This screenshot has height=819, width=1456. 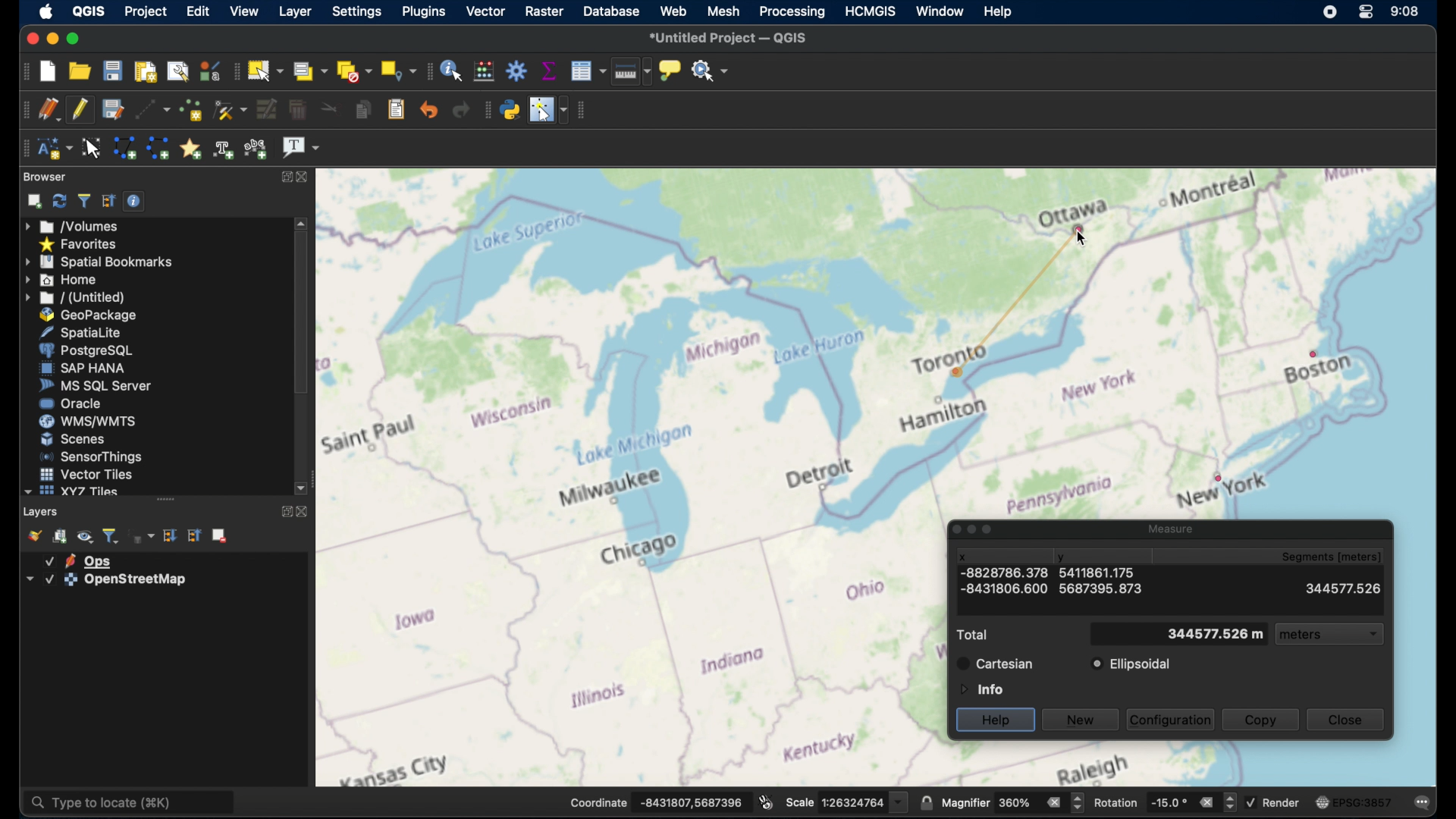 What do you see at coordinates (1276, 802) in the screenshot?
I see `render` at bounding box center [1276, 802].